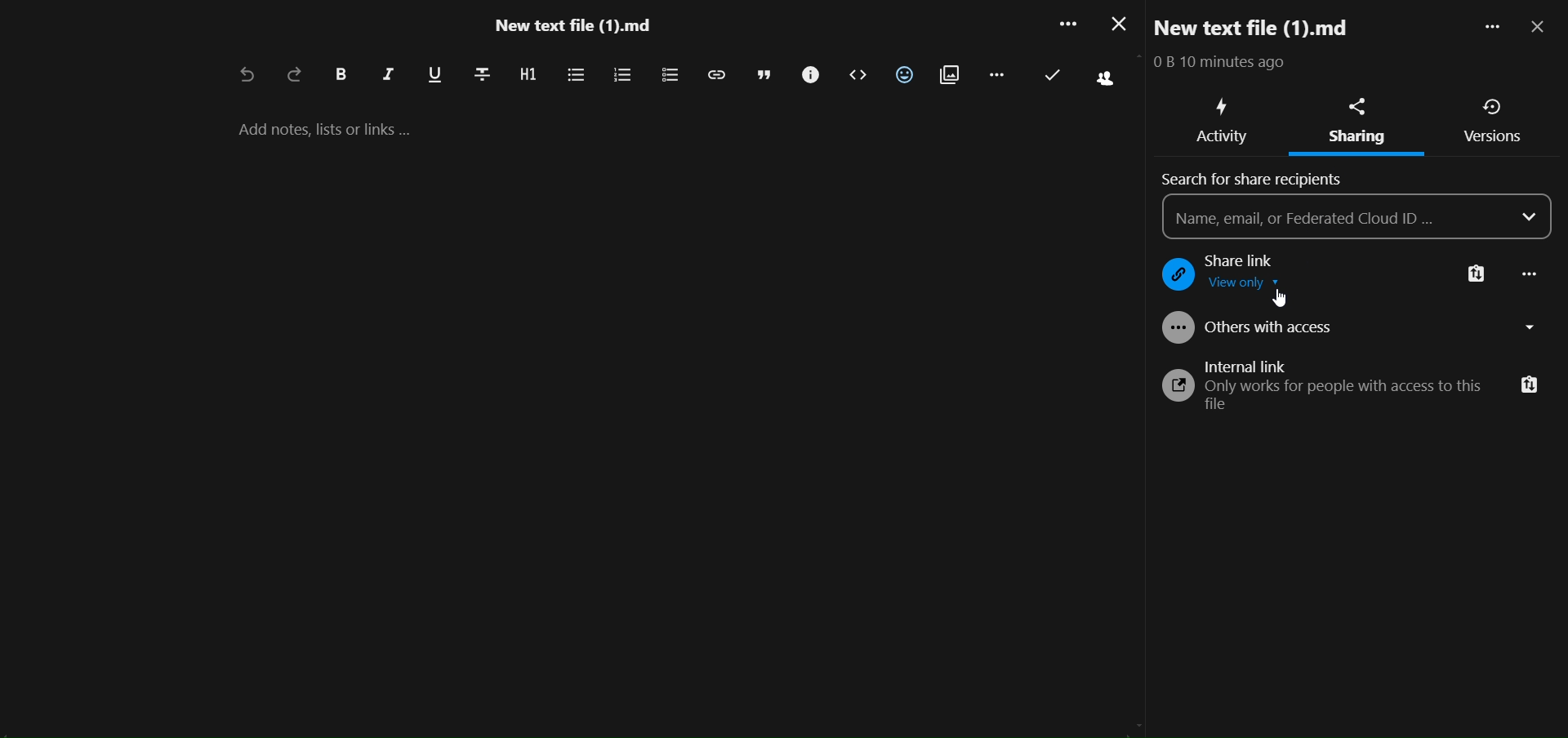 This screenshot has height=738, width=1568. What do you see at coordinates (1259, 180) in the screenshot?
I see `search for share recipients` at bounding box center [1259, 180].